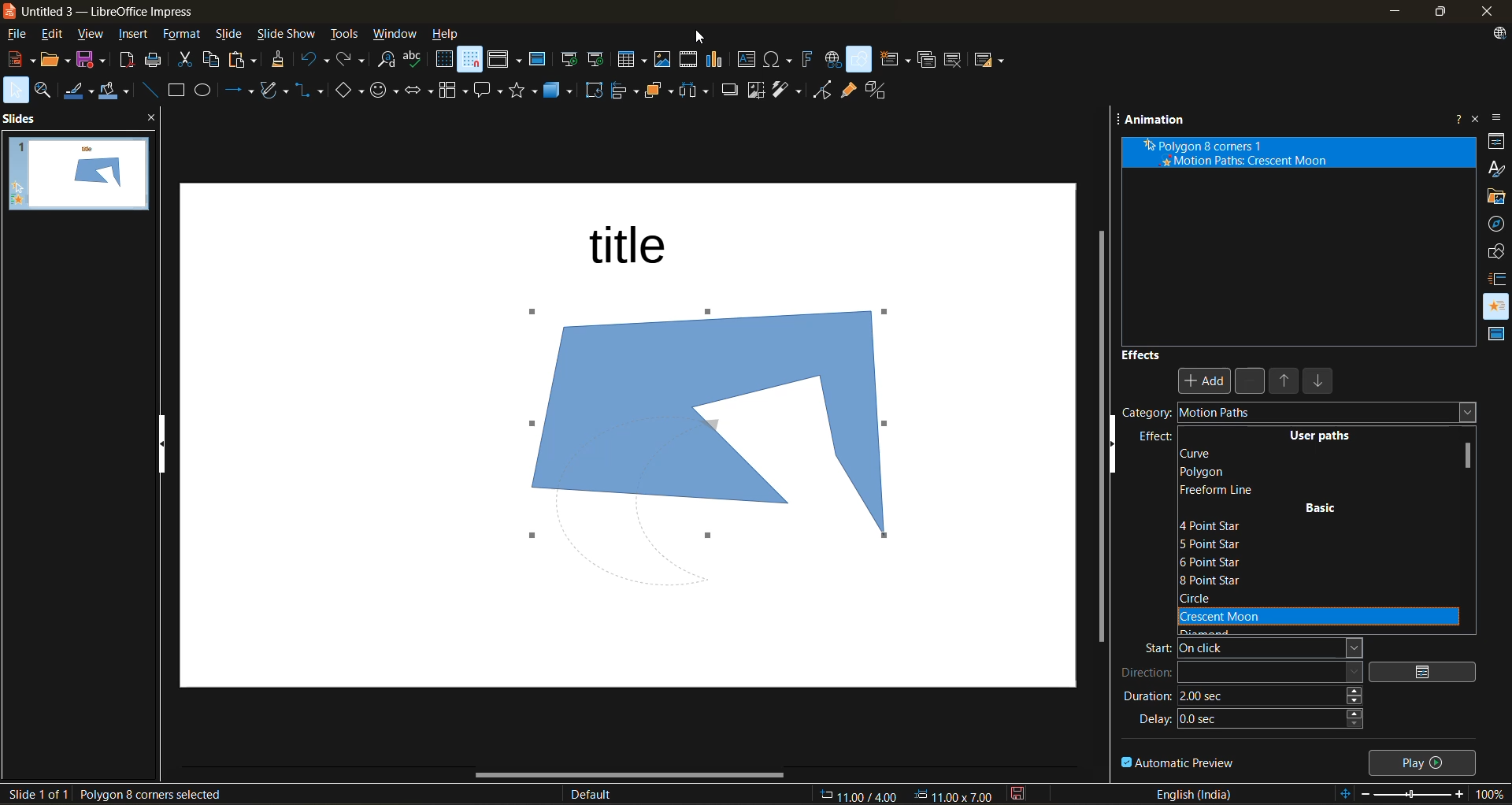 The width and height of the screenshot is (1512, 805). I want to click on start, so click(1251, 646).